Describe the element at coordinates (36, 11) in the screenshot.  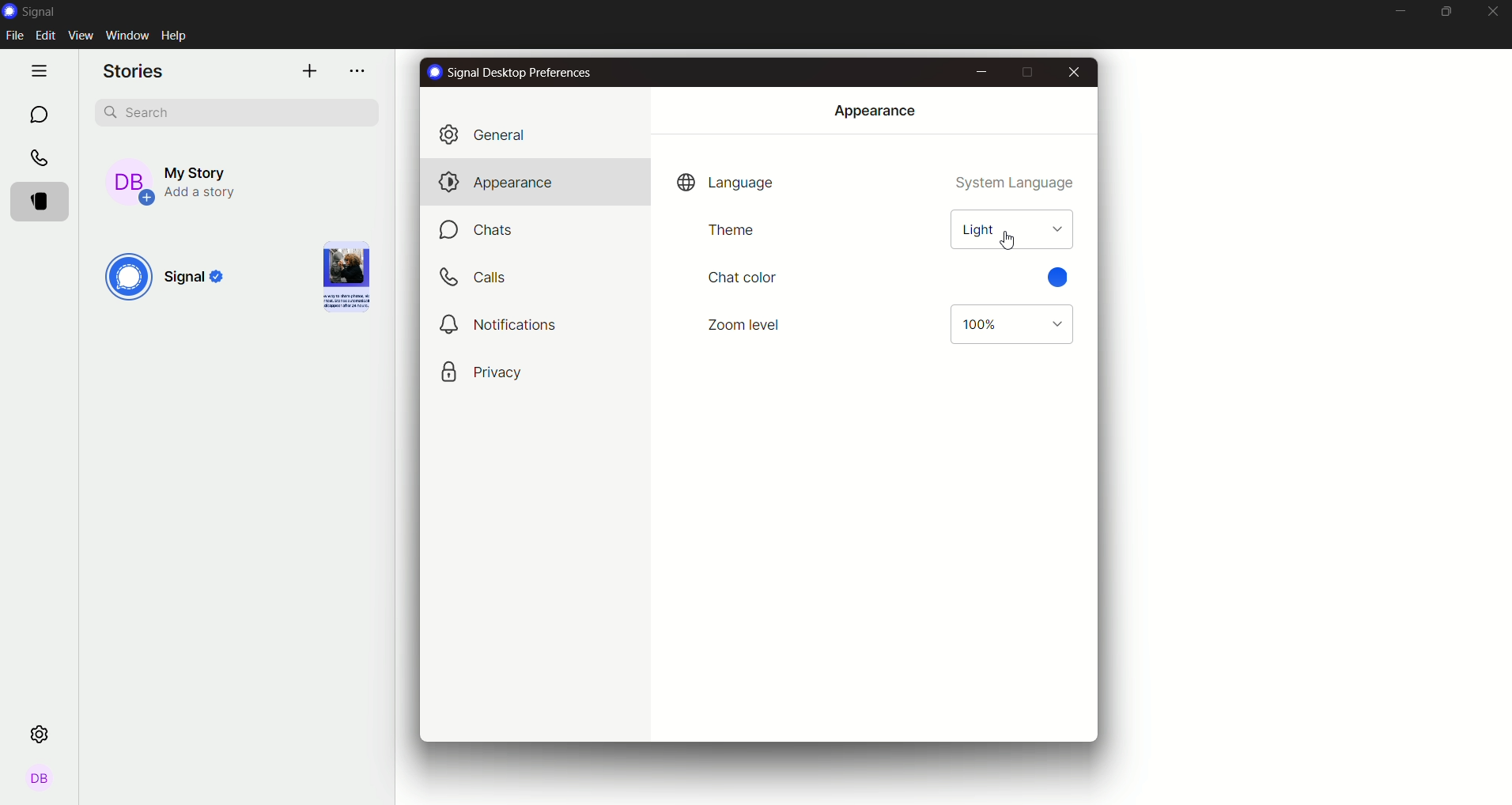
I see `signal logo` at that location.